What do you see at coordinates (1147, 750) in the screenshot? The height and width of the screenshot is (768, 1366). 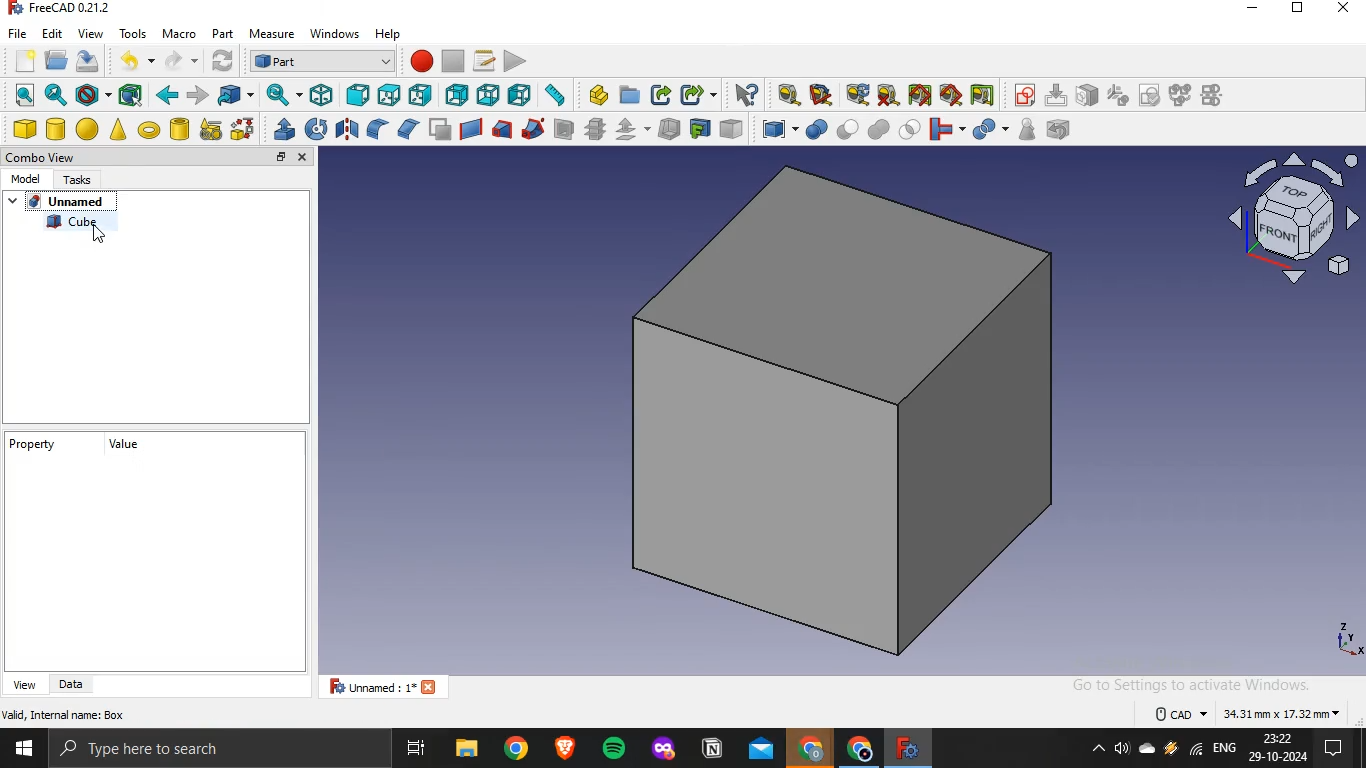 I see `onedrive` at bounding box center [1147, 750].